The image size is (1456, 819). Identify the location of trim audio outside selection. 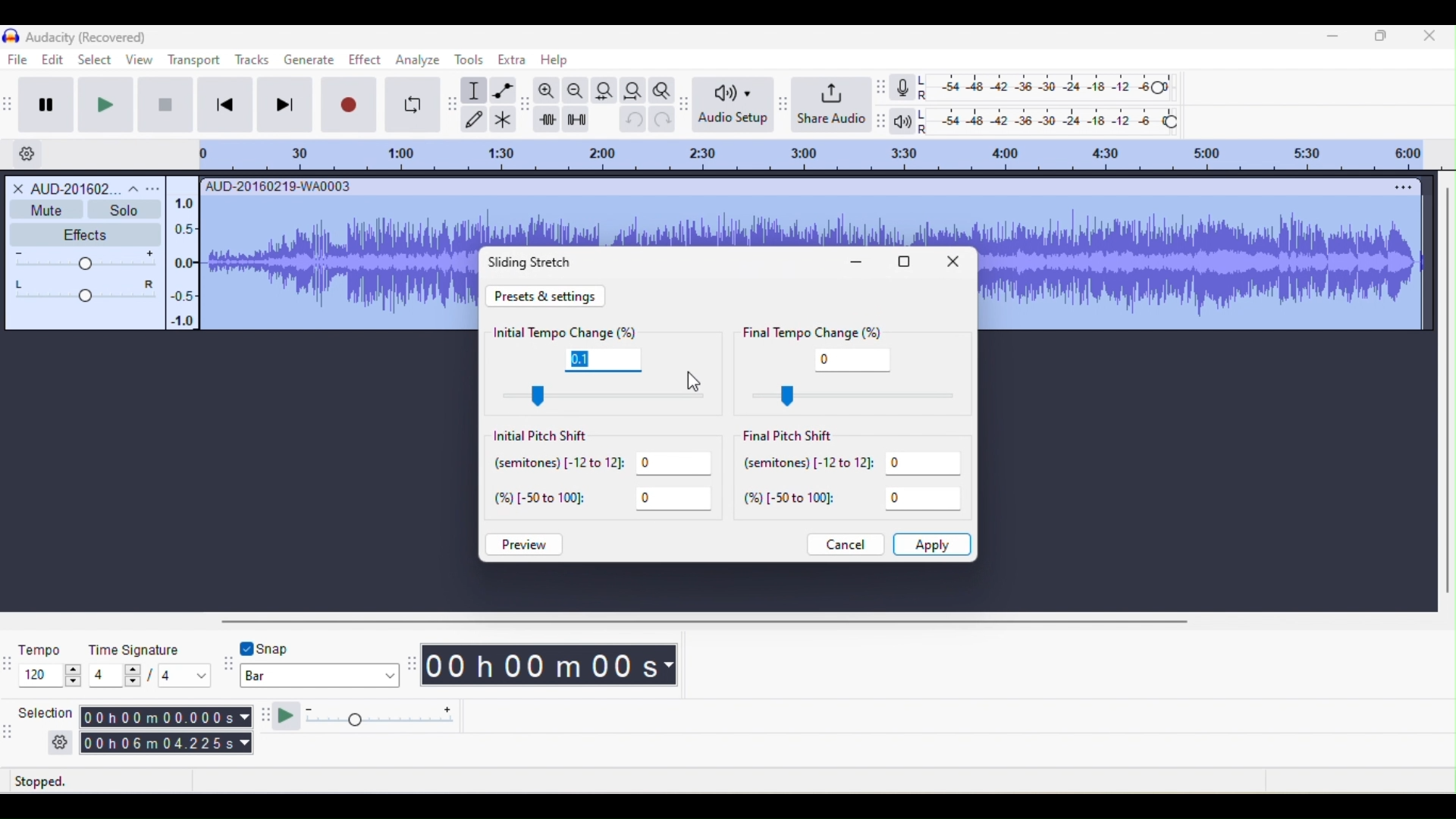
(548, 119).